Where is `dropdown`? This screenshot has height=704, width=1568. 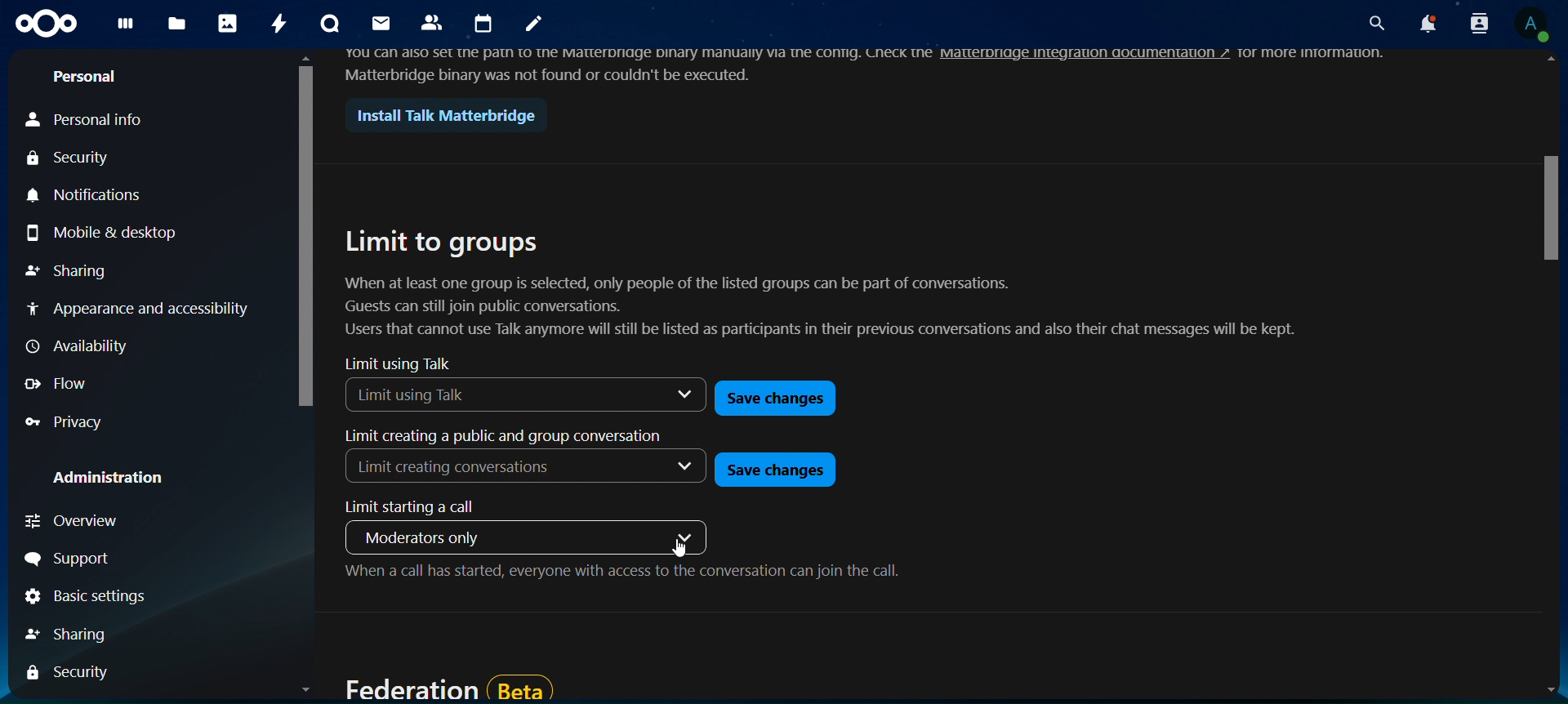
dropdown is located at coordinates (686, 468).